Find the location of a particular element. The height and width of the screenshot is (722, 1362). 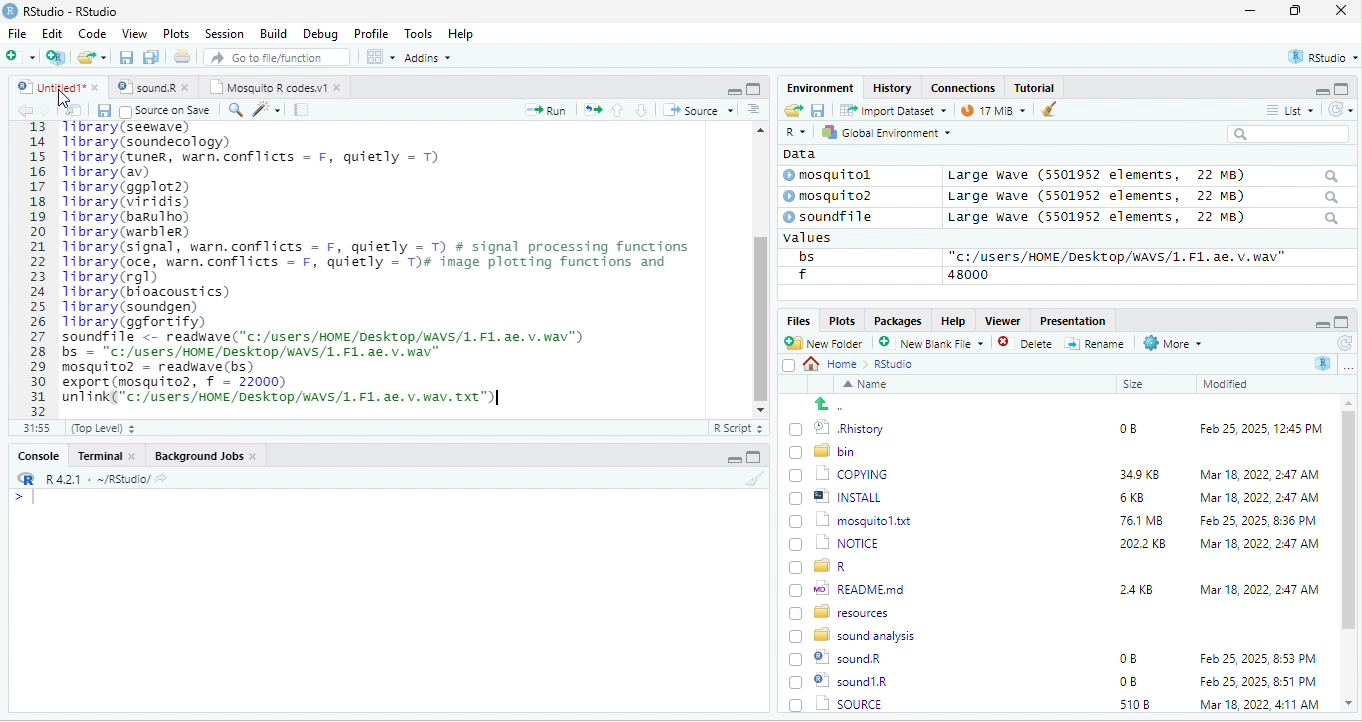

Delete is located at coordinates (1028, 344).